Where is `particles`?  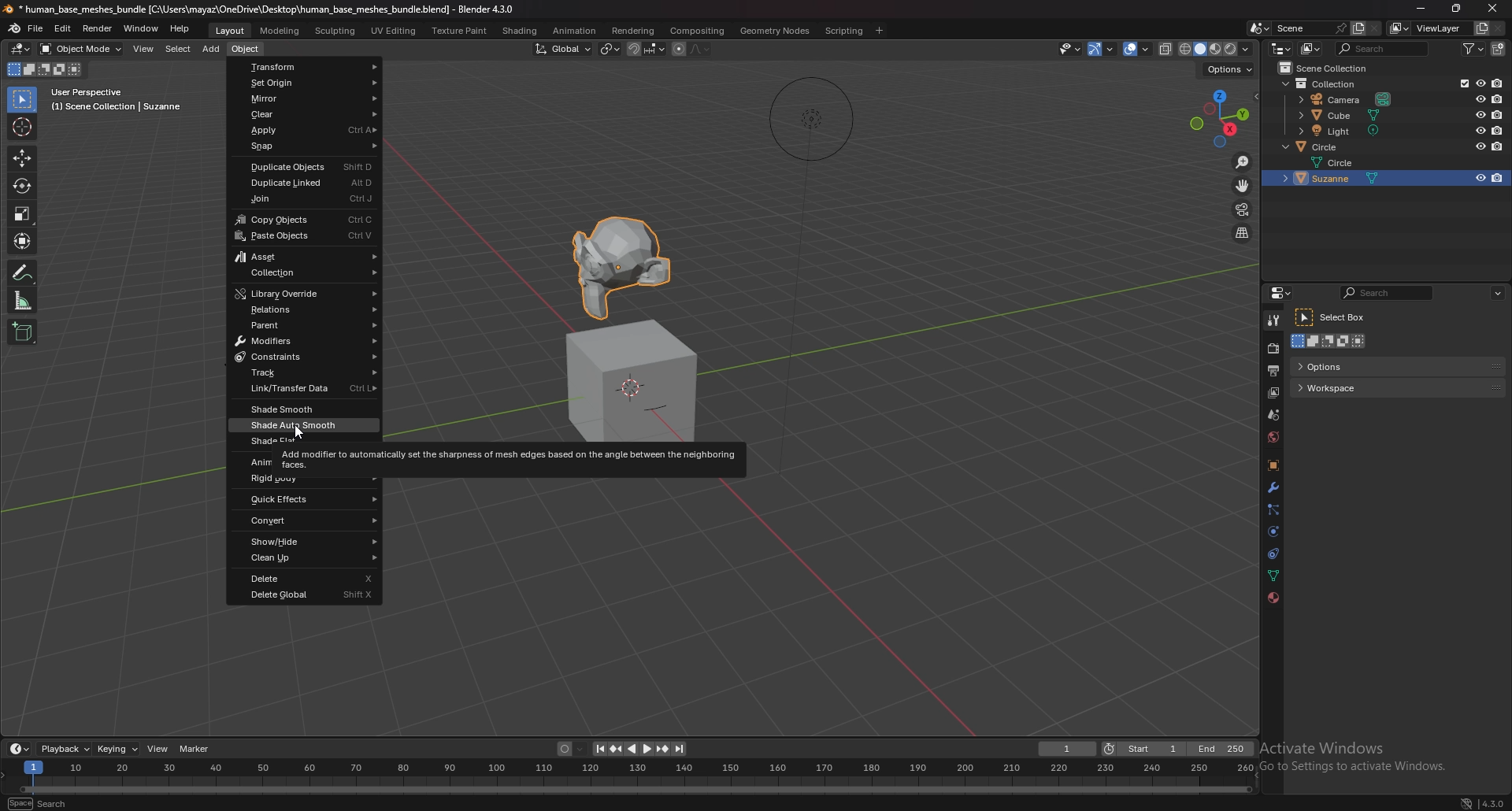 particles is located at coordinates (1274, 510).